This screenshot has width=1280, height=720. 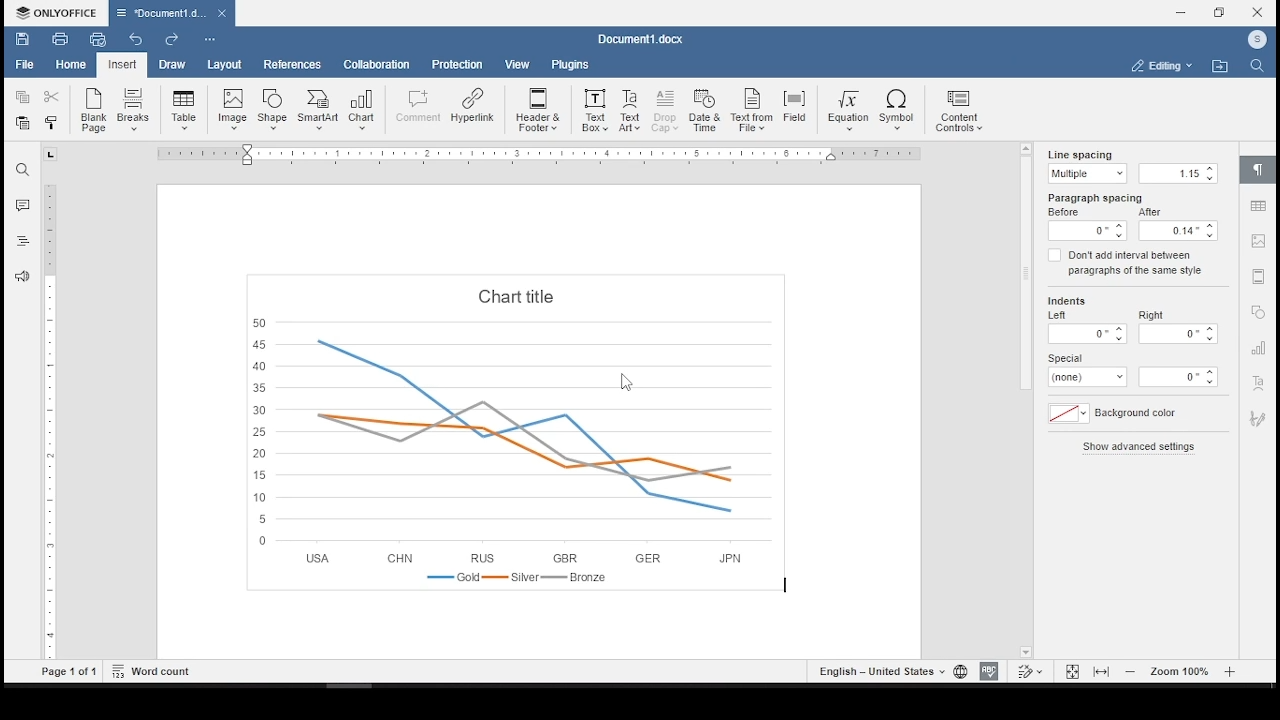 I want to click on show advanced settings, so click(x=1141, y=449).